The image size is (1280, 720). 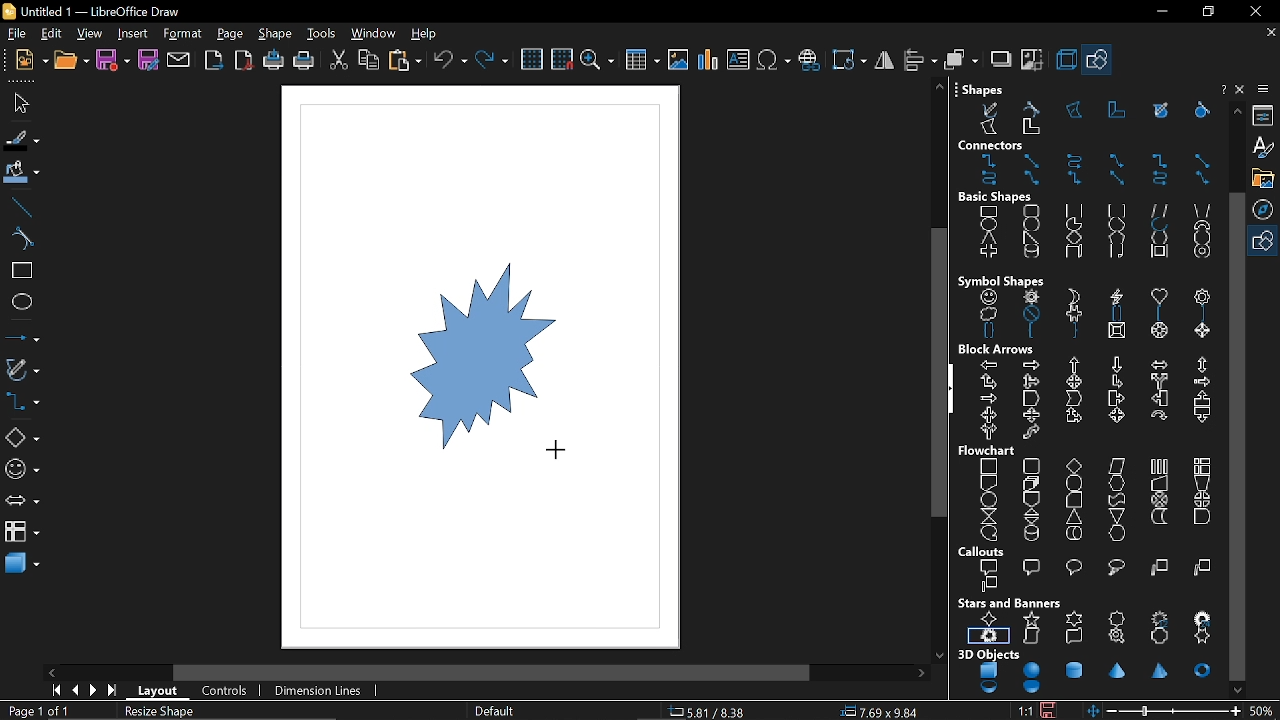 What do you see at coordinates (1165, 711) in the screenshot?
I see `change zoom` at bounding box center [1165, 711].